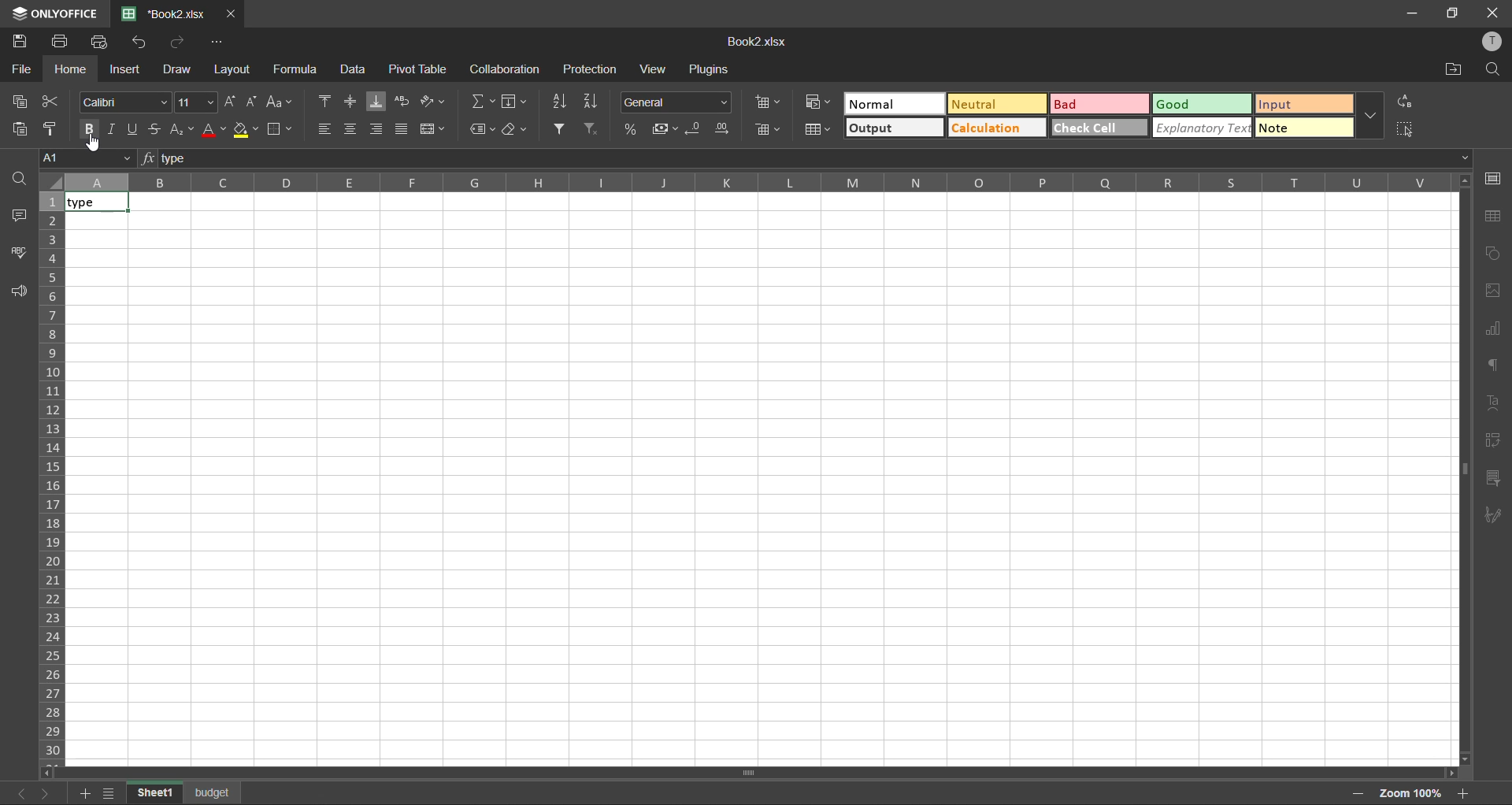 This screenshot has height=805, width=1512. What do you see at coordinates (1495, 176) in the screenshot?
I see `cell settings` at bounding box center [1495, 176].